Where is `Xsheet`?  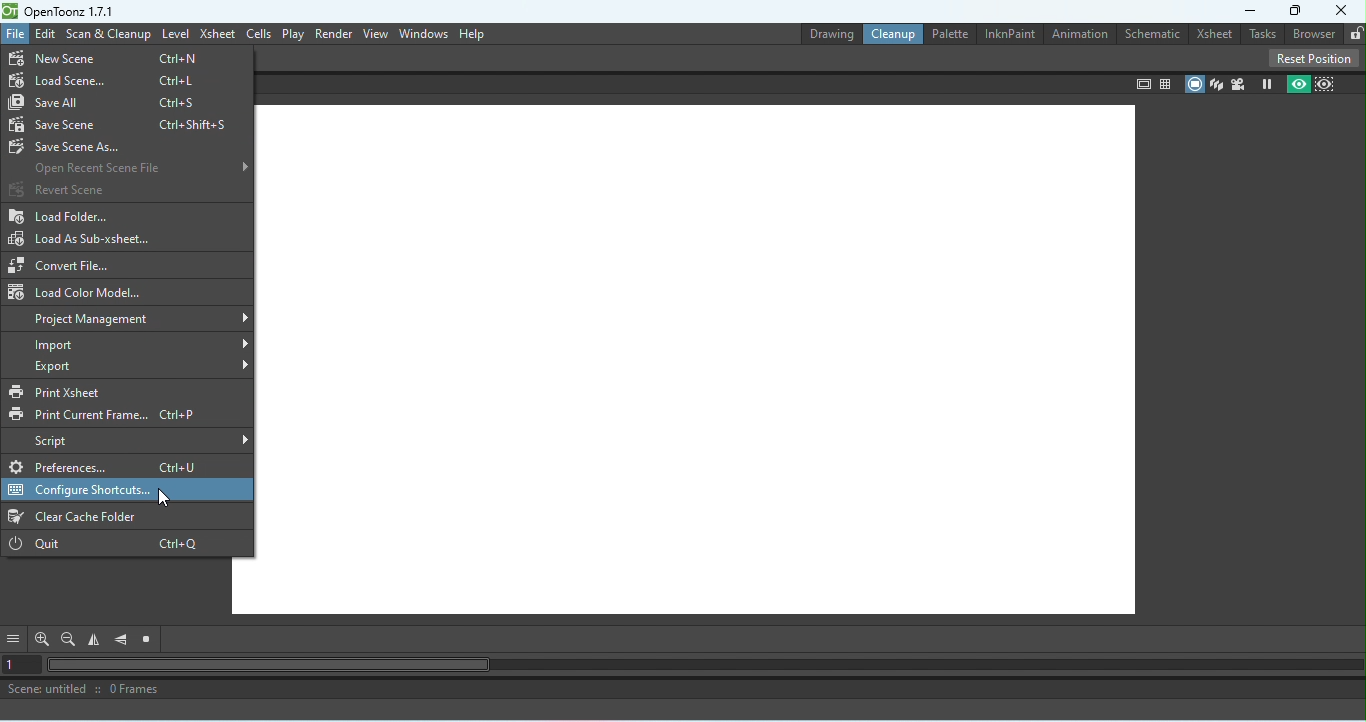
Xsheet is located at coordinates (217, 33).